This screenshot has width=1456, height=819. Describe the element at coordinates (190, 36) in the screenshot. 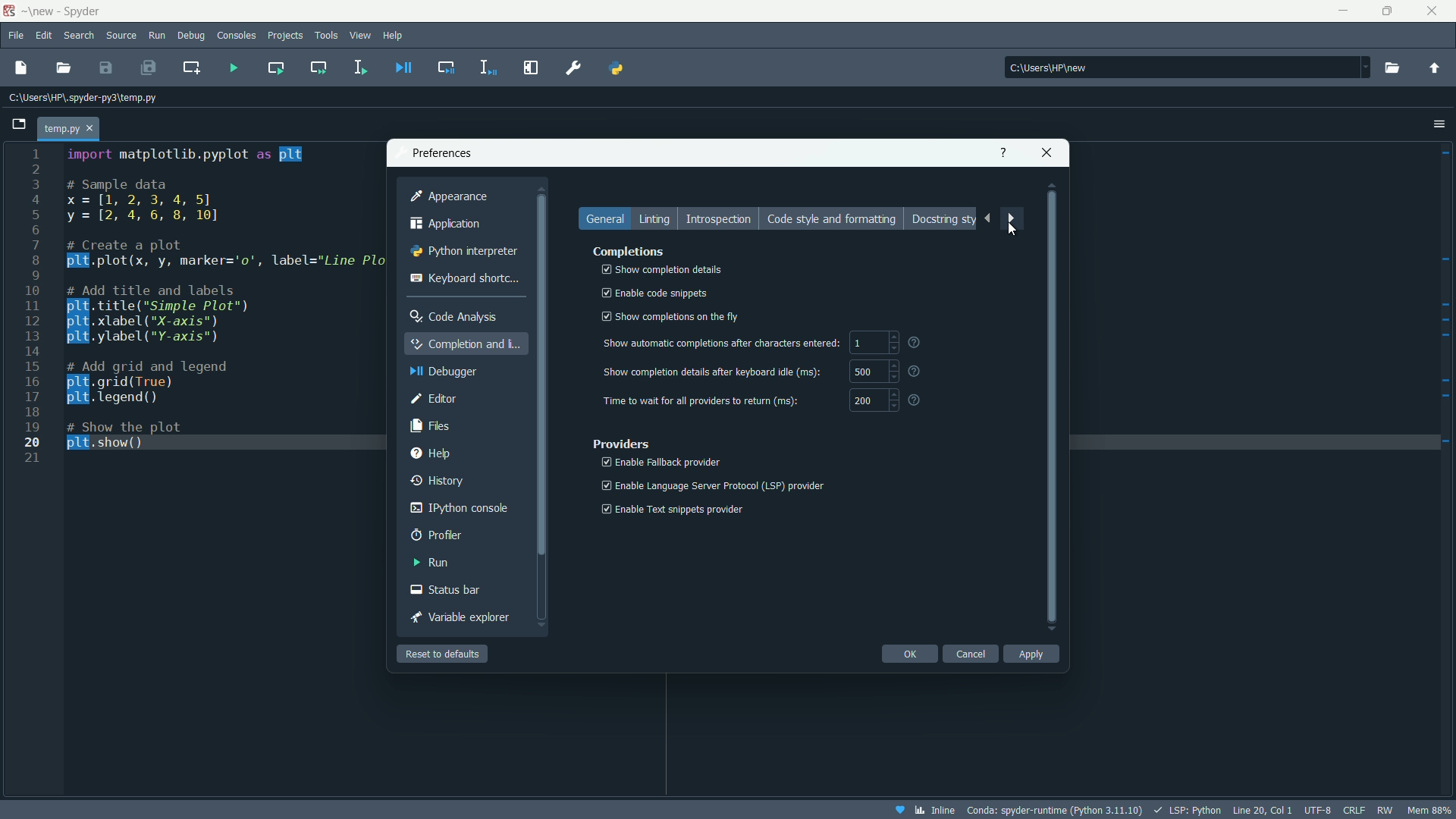

I see `debug` at that location.